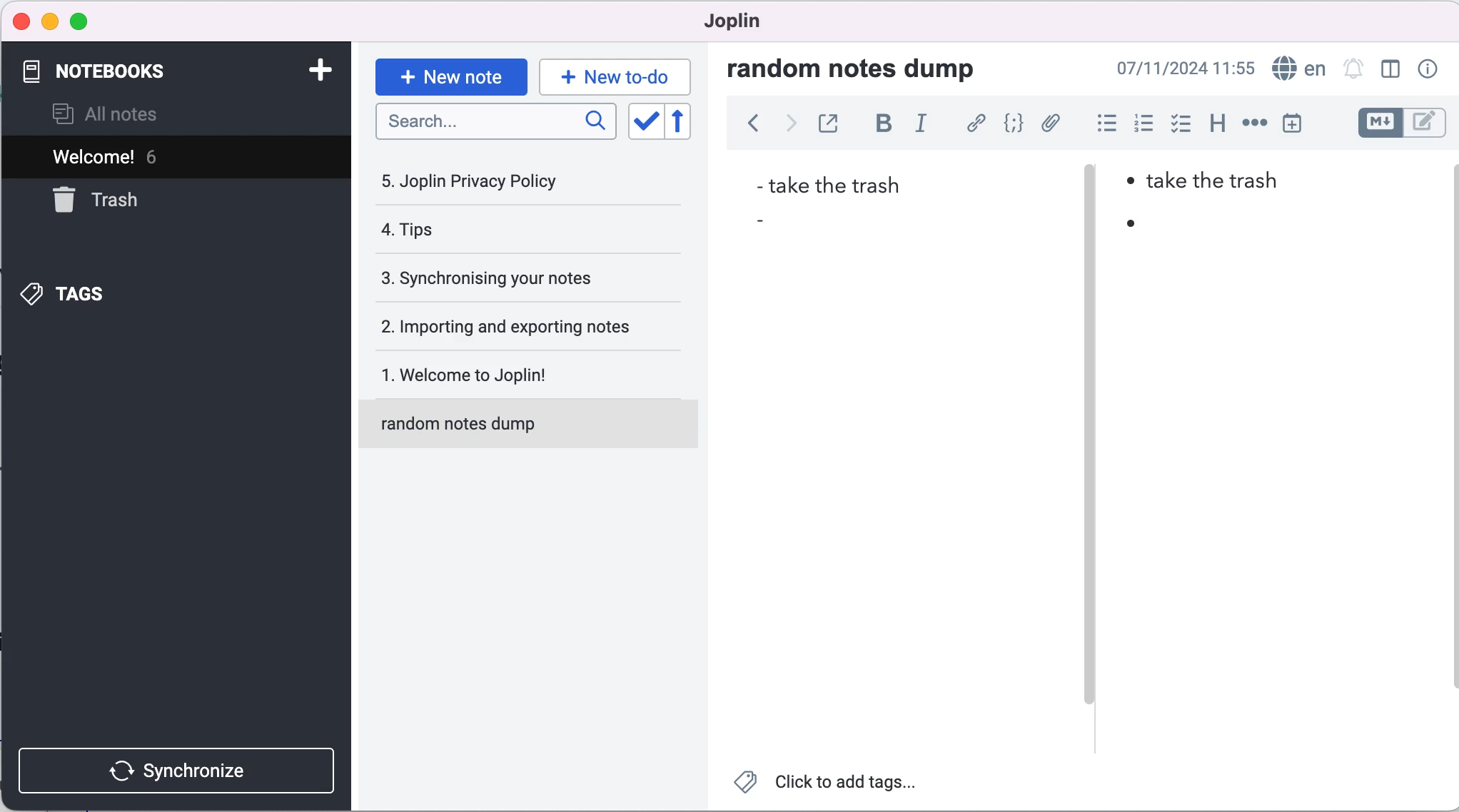 This screenshot has height=812, width=1459. I want to click on take the trash, so click(832, 184).